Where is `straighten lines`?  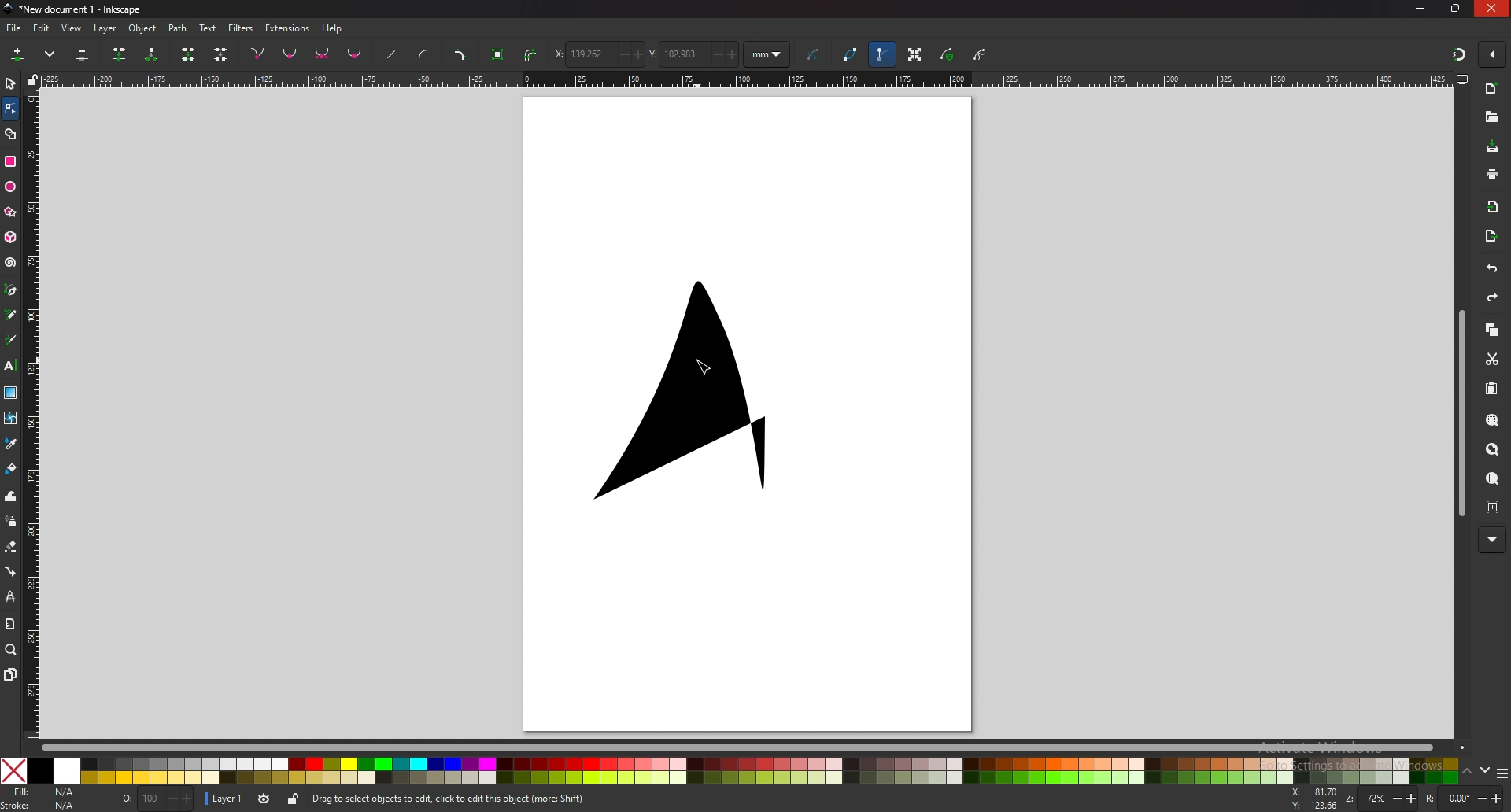
straighten lines is located at coordinates (393, 54).